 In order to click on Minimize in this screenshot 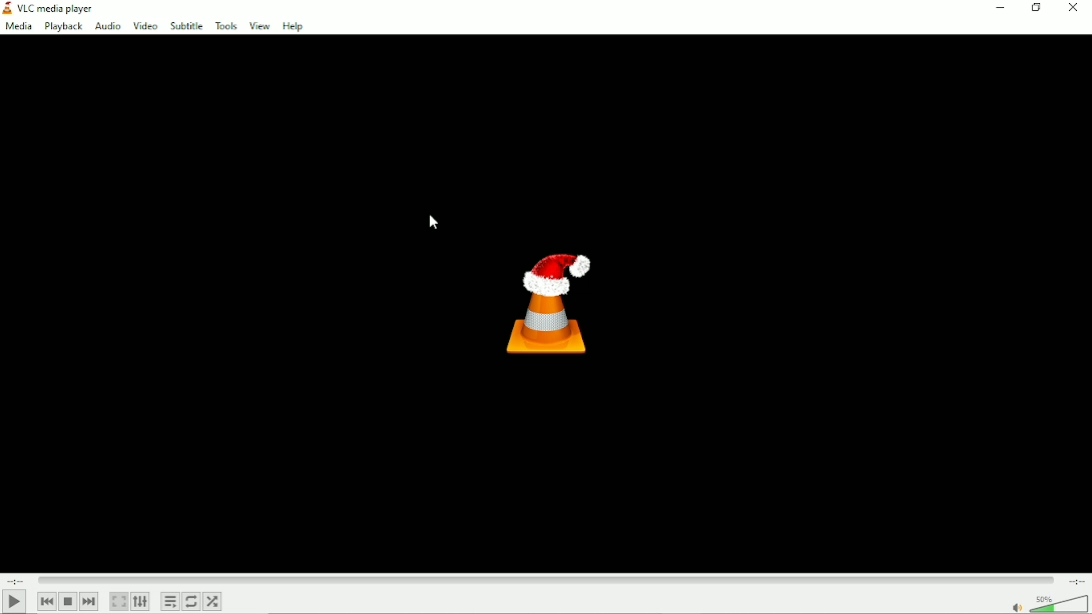, I will do `click(996, 9)`.